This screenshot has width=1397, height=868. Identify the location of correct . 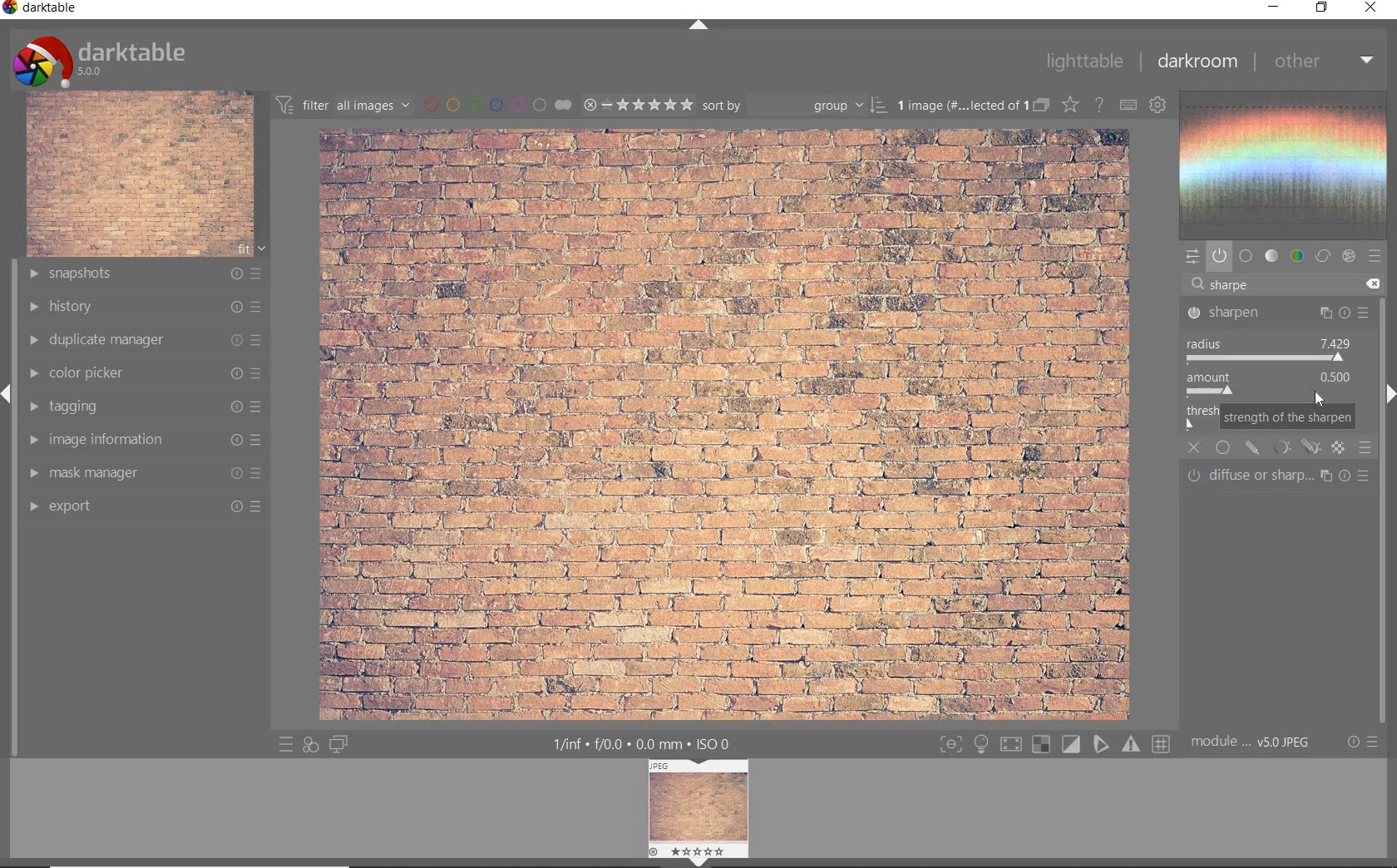
(1323, 256).